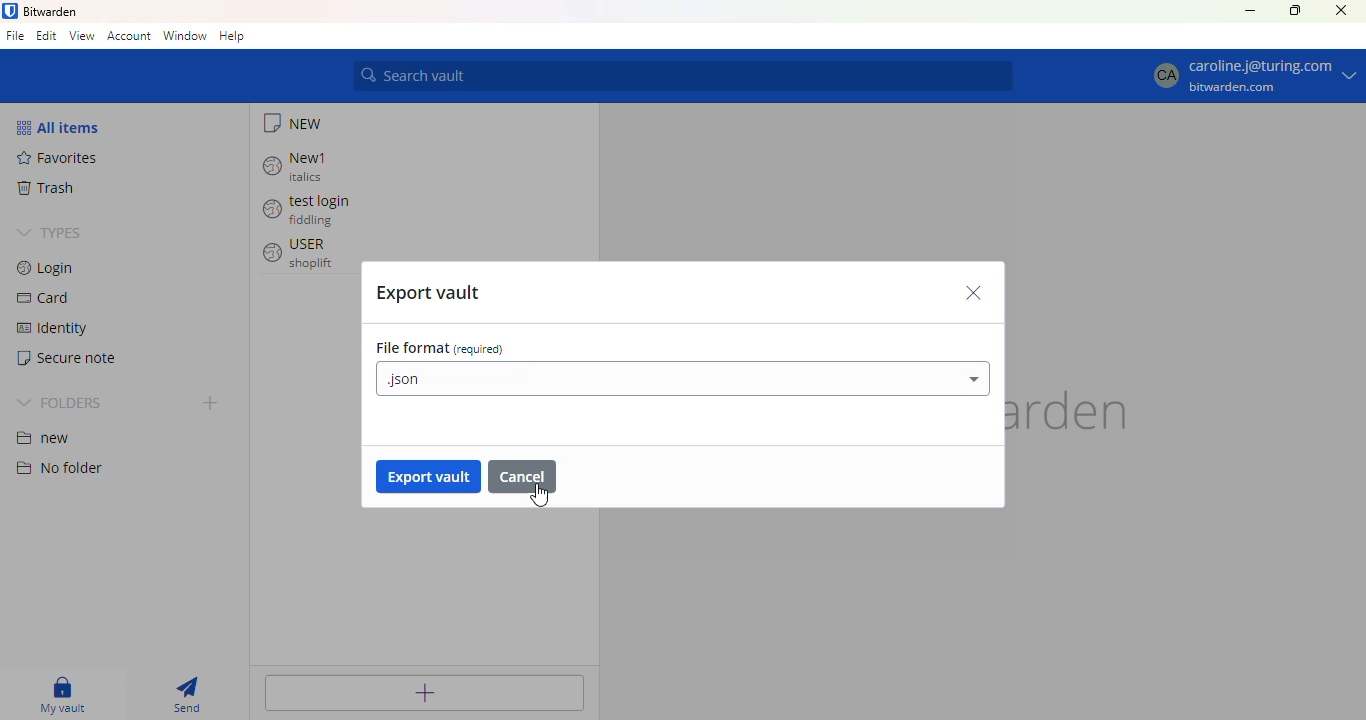  What do you see at coordinates (232, 36) in the screenshot?
I see `help` at bounding box center [232, 36].